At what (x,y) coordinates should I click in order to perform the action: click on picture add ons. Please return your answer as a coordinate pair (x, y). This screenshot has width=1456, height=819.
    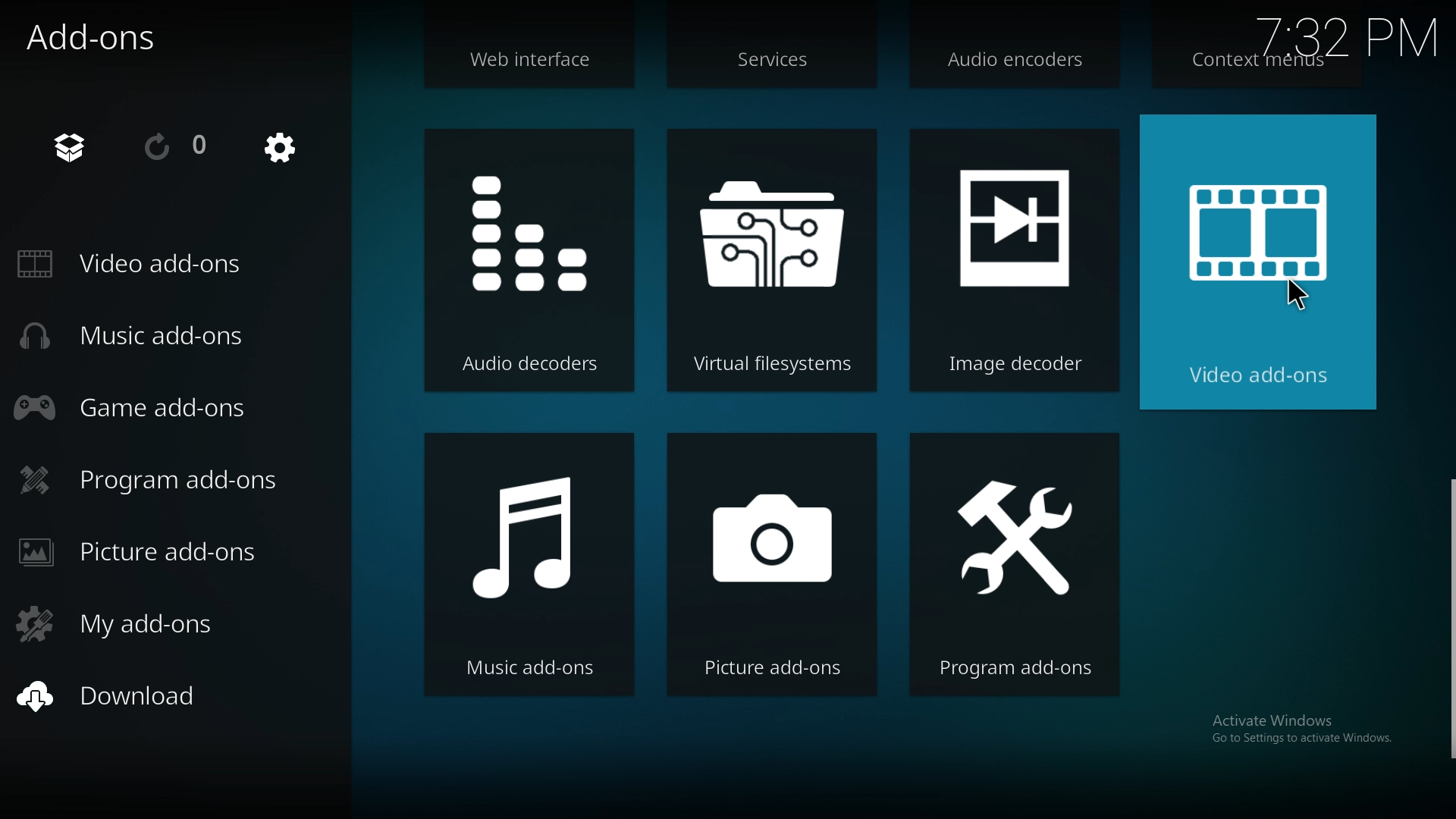
    Looking at the image, I should click on (158, 552).